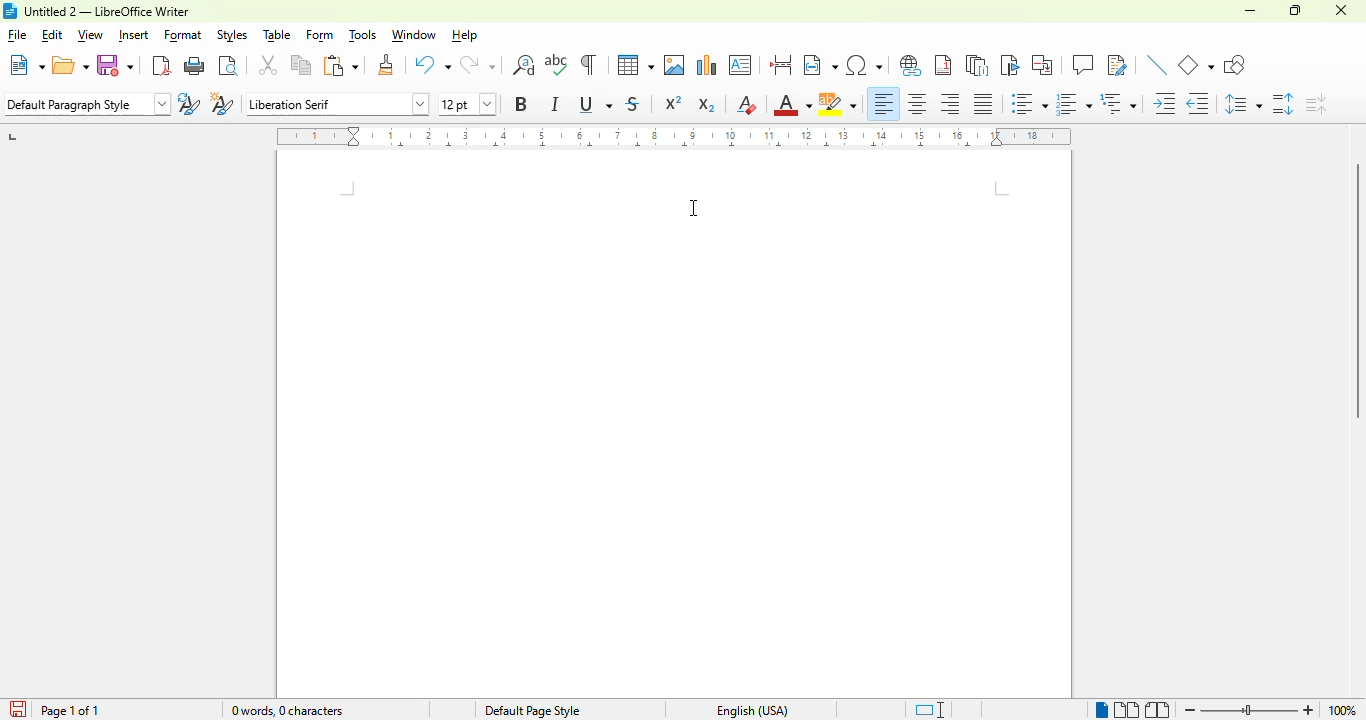  Describe the element at coordinates (1073, 104) in the screenshot. I see `toggle ordered list` at that location.